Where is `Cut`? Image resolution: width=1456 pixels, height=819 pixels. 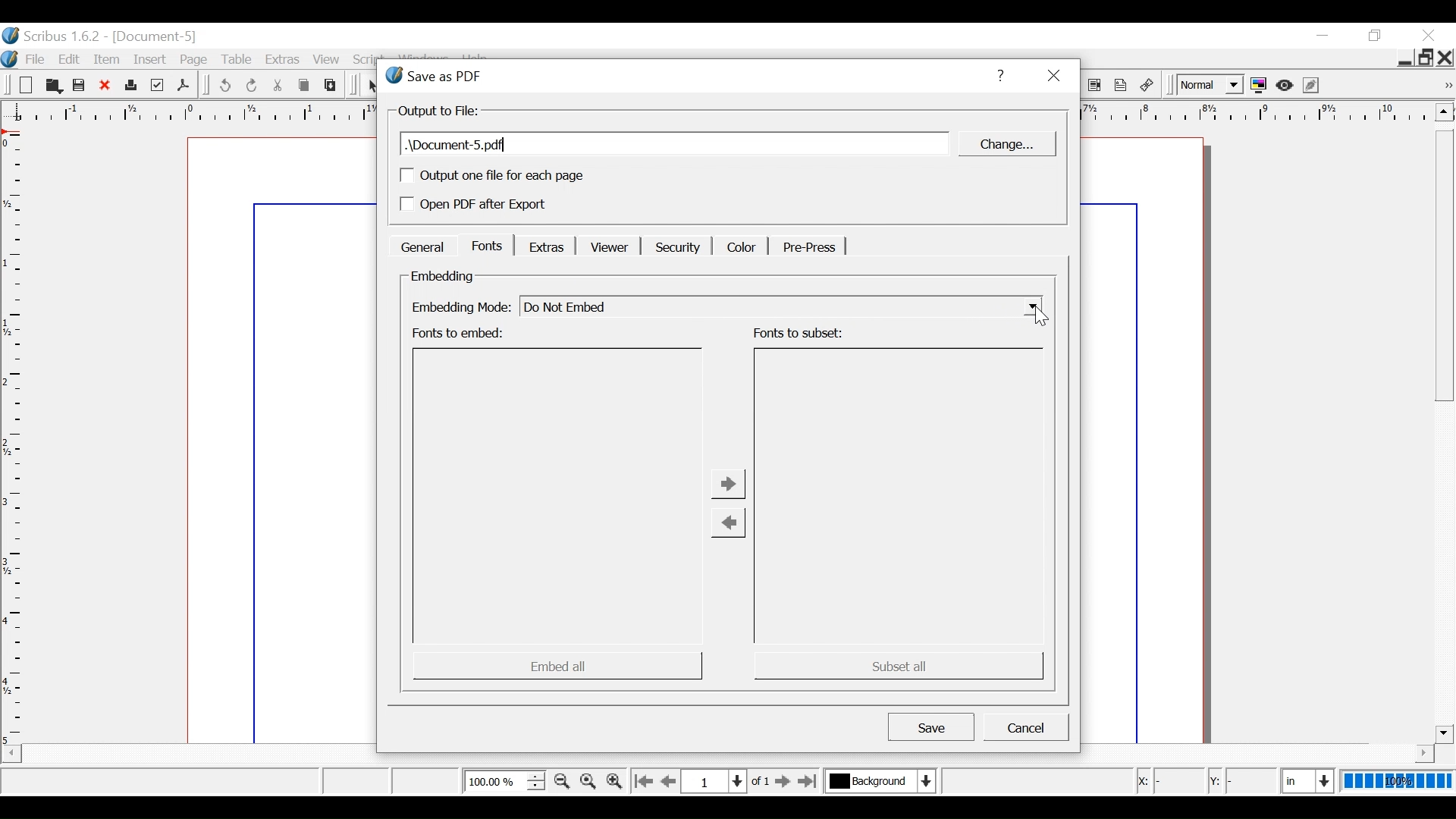 Cut is located at coordinates (278, 86).